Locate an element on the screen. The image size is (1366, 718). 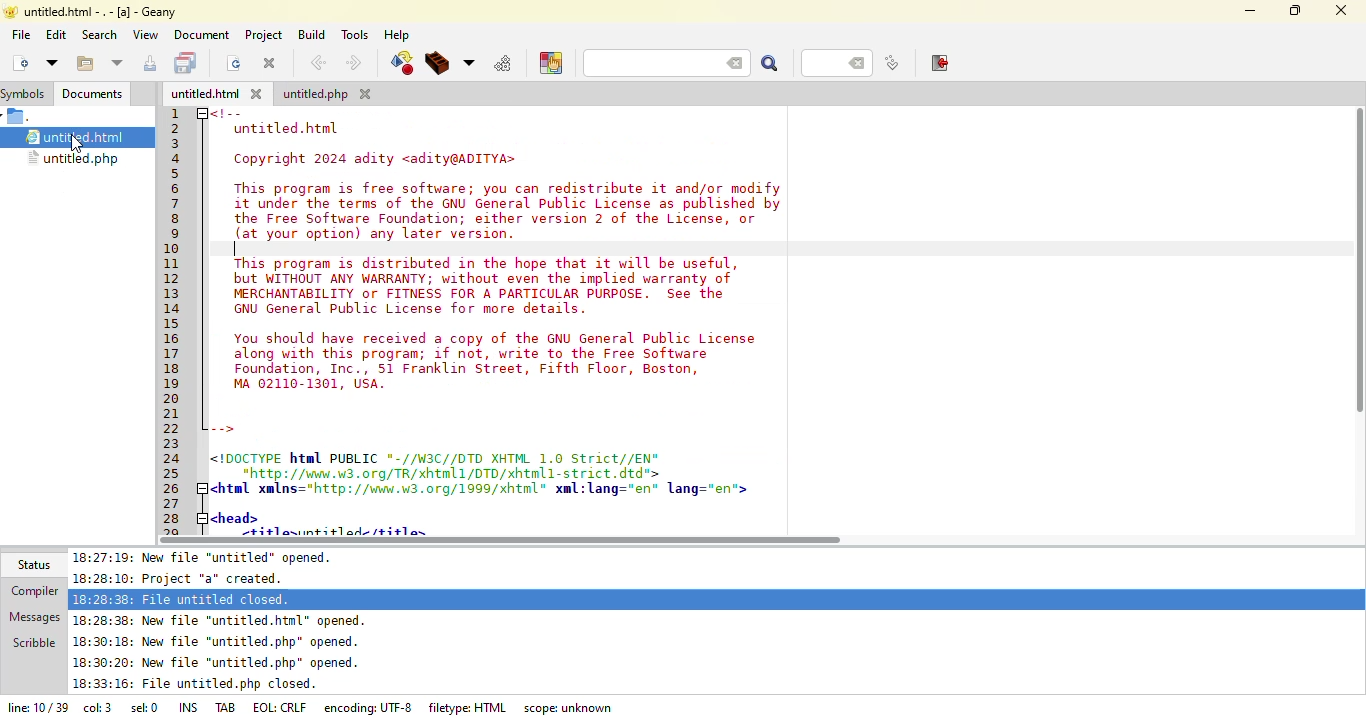
sel is located at coordinates (140, 706).